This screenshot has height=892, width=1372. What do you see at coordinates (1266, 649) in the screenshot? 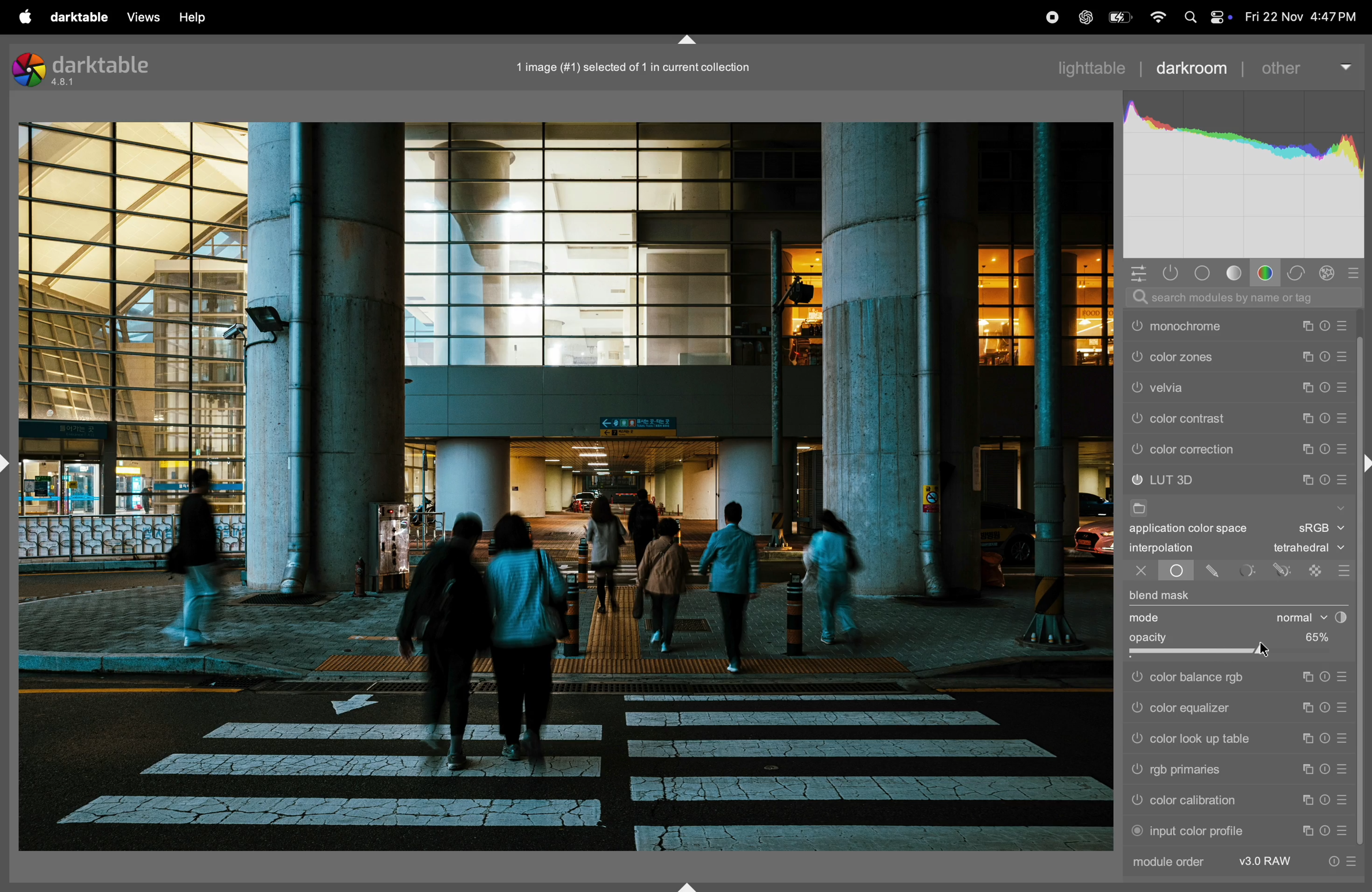
I see `cursor` at bounding box center [1266, 649].